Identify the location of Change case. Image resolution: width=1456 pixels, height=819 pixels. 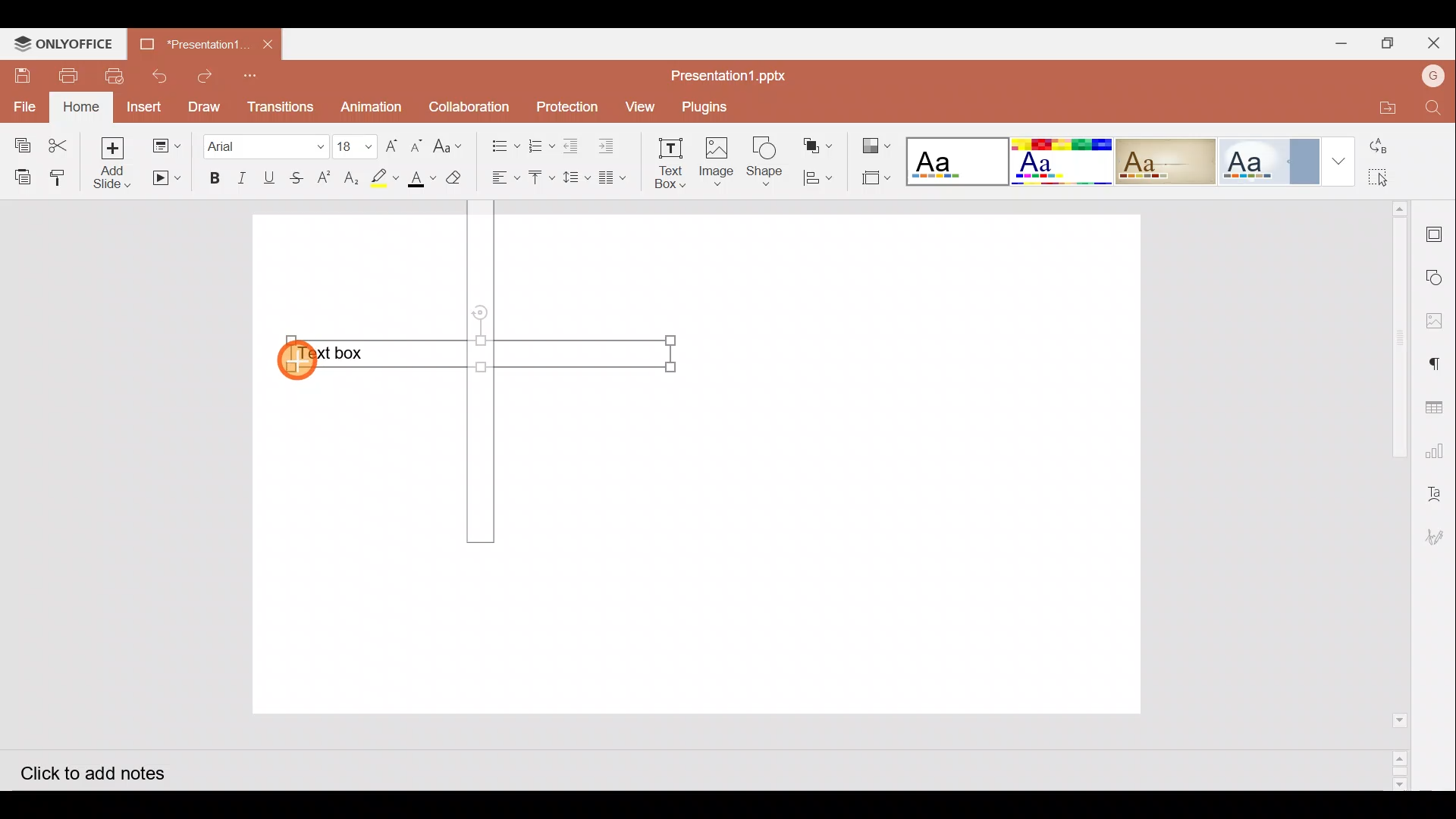
(451, 143).